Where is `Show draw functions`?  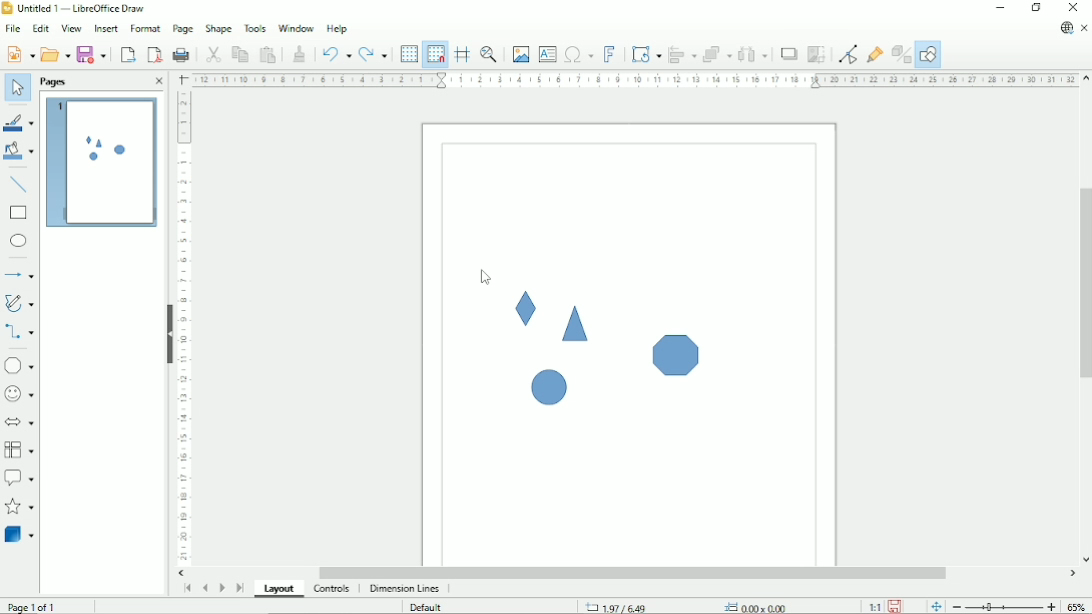
Show draw functions is located at coordinates (929, 53).